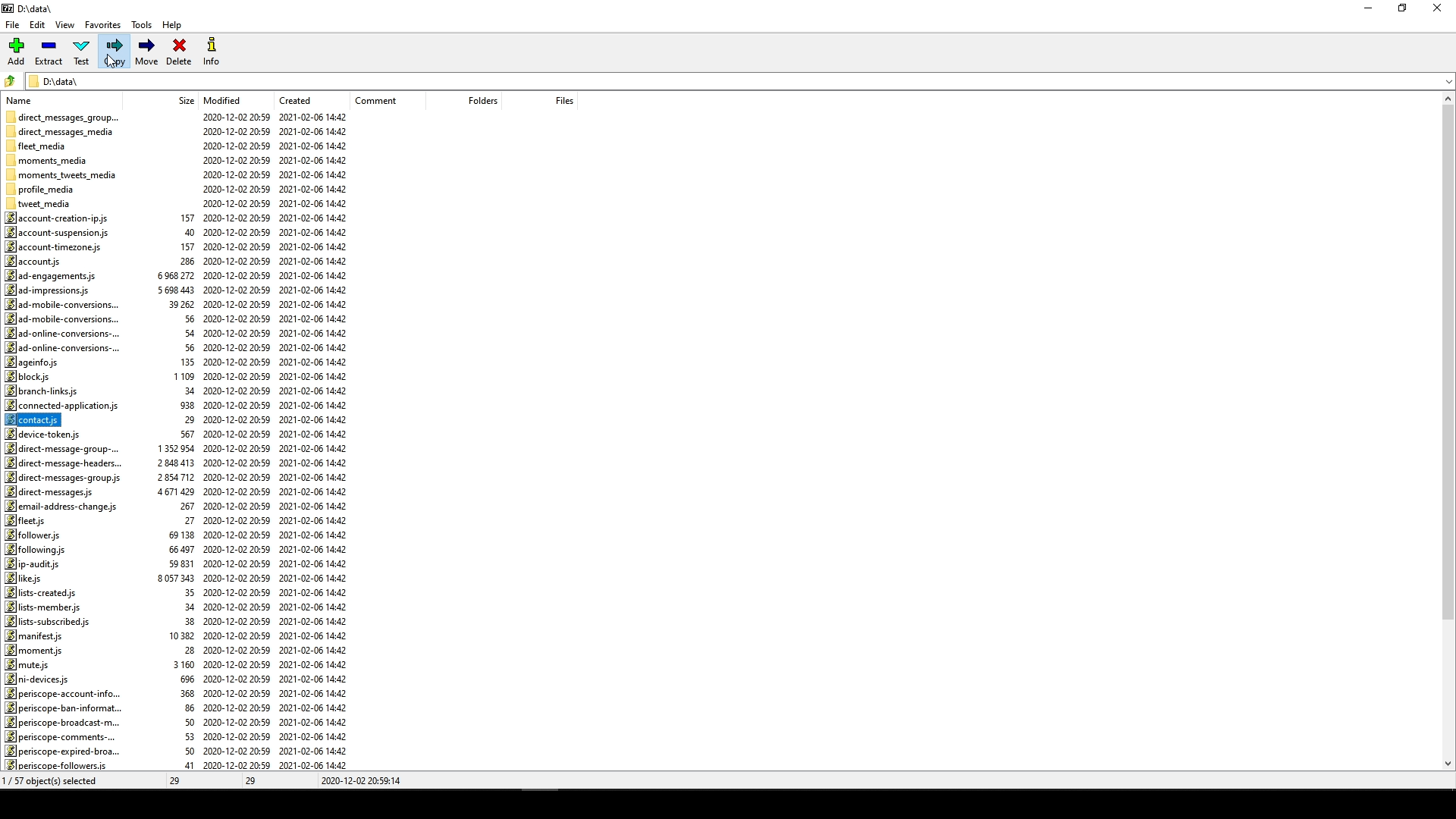 This screenshot has width=1456, height=819. Describe the element at coordinates (28, 377) in the screenshot. I see `block.js` at that location.